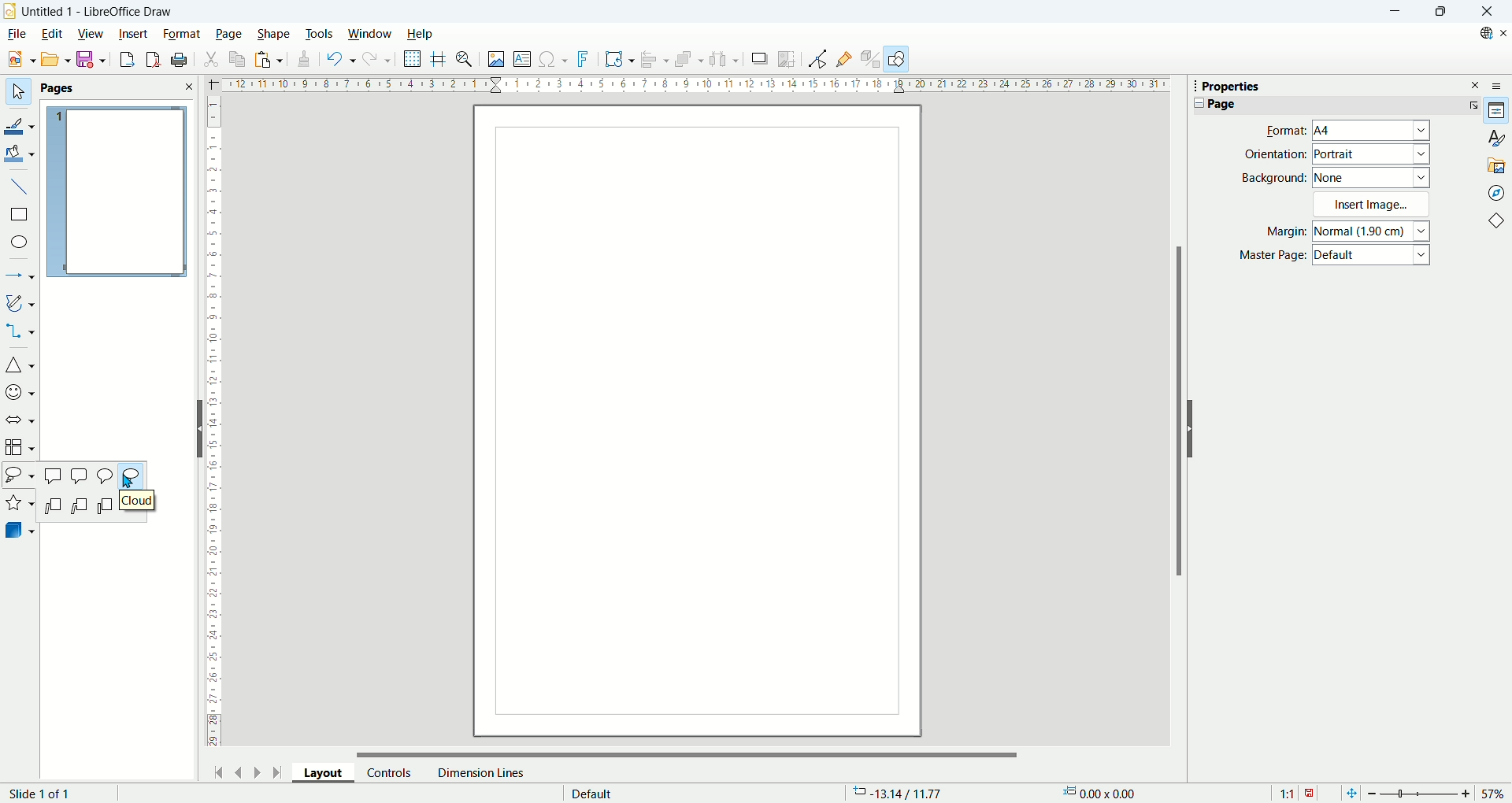 This screenshot has height=803, width=1512. What do you see at coordinates (117, 193) in the screenshot?
I see `page` at bounding box center [117, 193].